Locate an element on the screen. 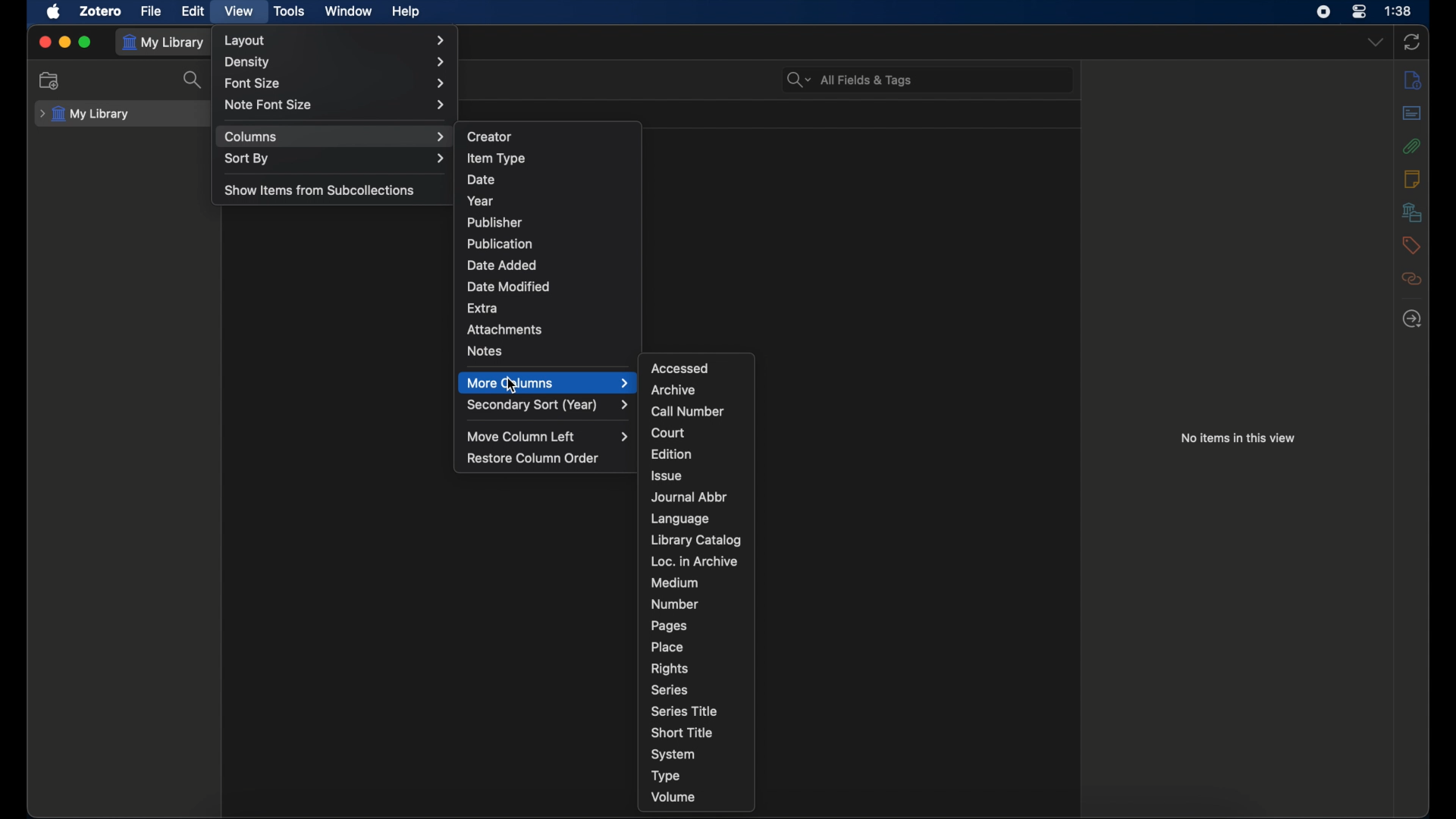  density is located at coordinates (336, 62).